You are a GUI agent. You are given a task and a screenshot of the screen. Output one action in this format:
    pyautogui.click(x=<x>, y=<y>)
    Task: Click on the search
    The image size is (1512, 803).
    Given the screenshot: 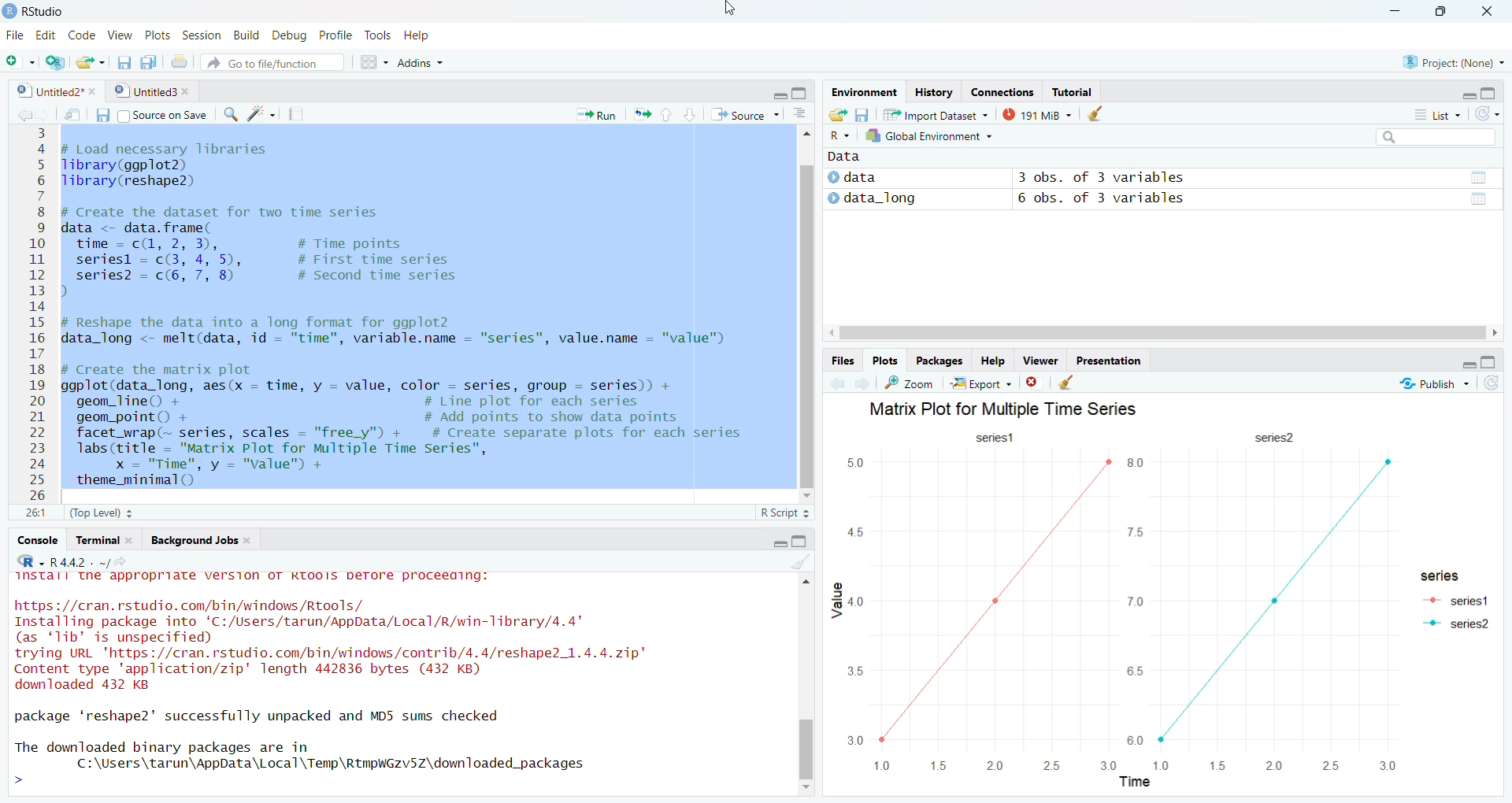 What is the action you would take?
    pyautogui.click(x=229, y=115)
    